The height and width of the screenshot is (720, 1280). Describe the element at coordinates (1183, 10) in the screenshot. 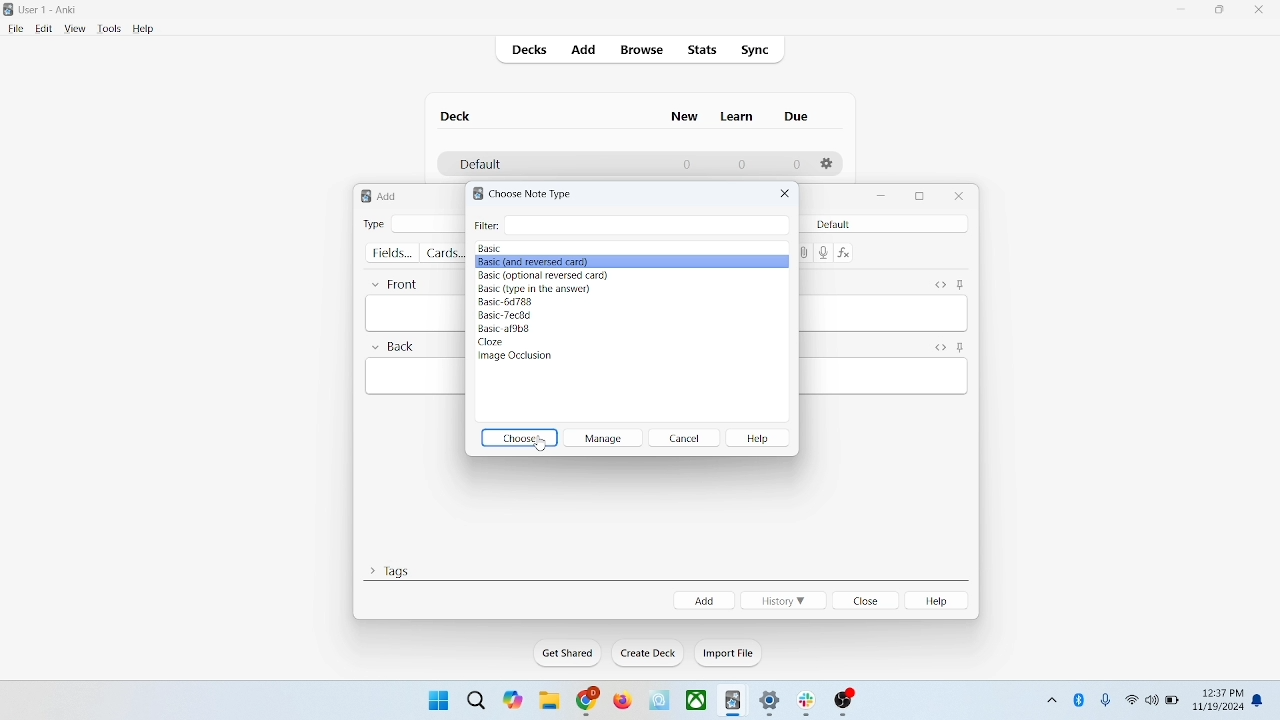

I see `minimize` at that location.